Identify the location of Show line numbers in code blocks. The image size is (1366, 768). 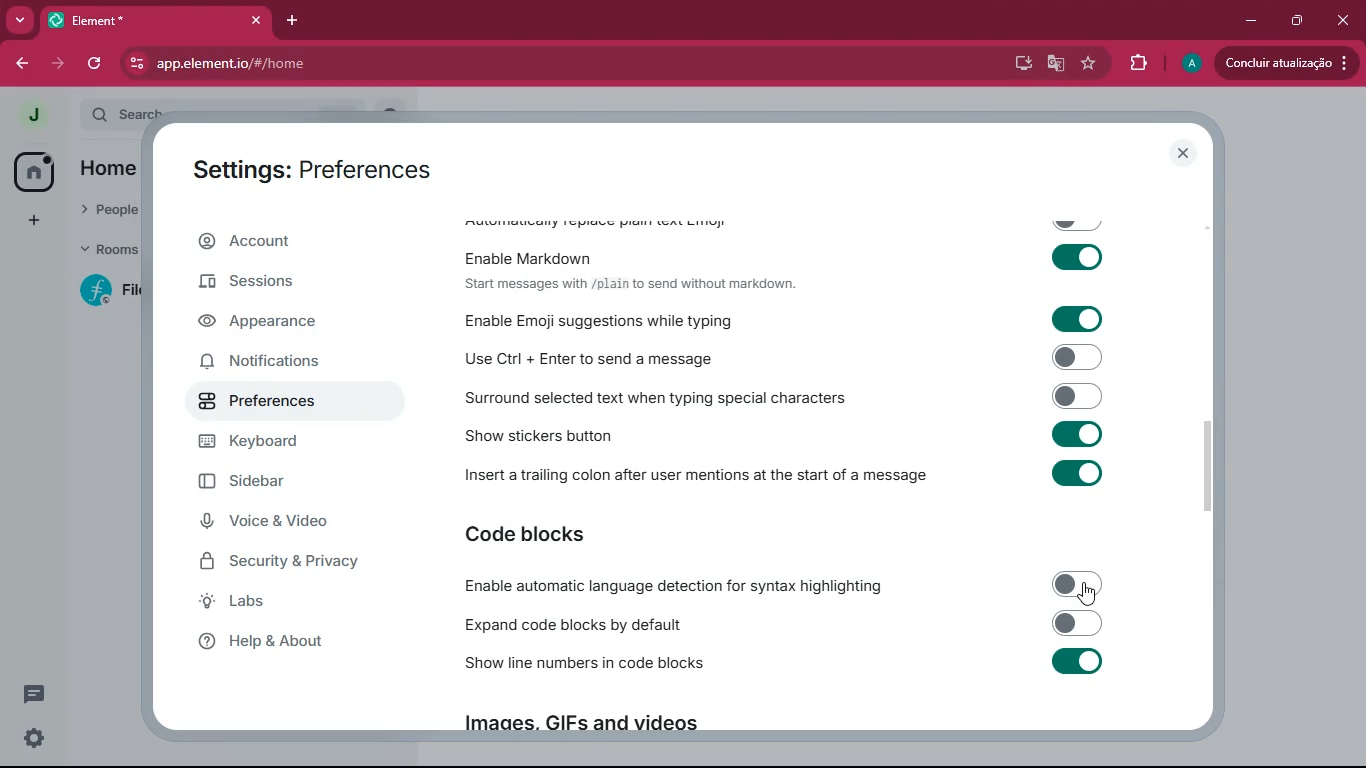
(785, 664).